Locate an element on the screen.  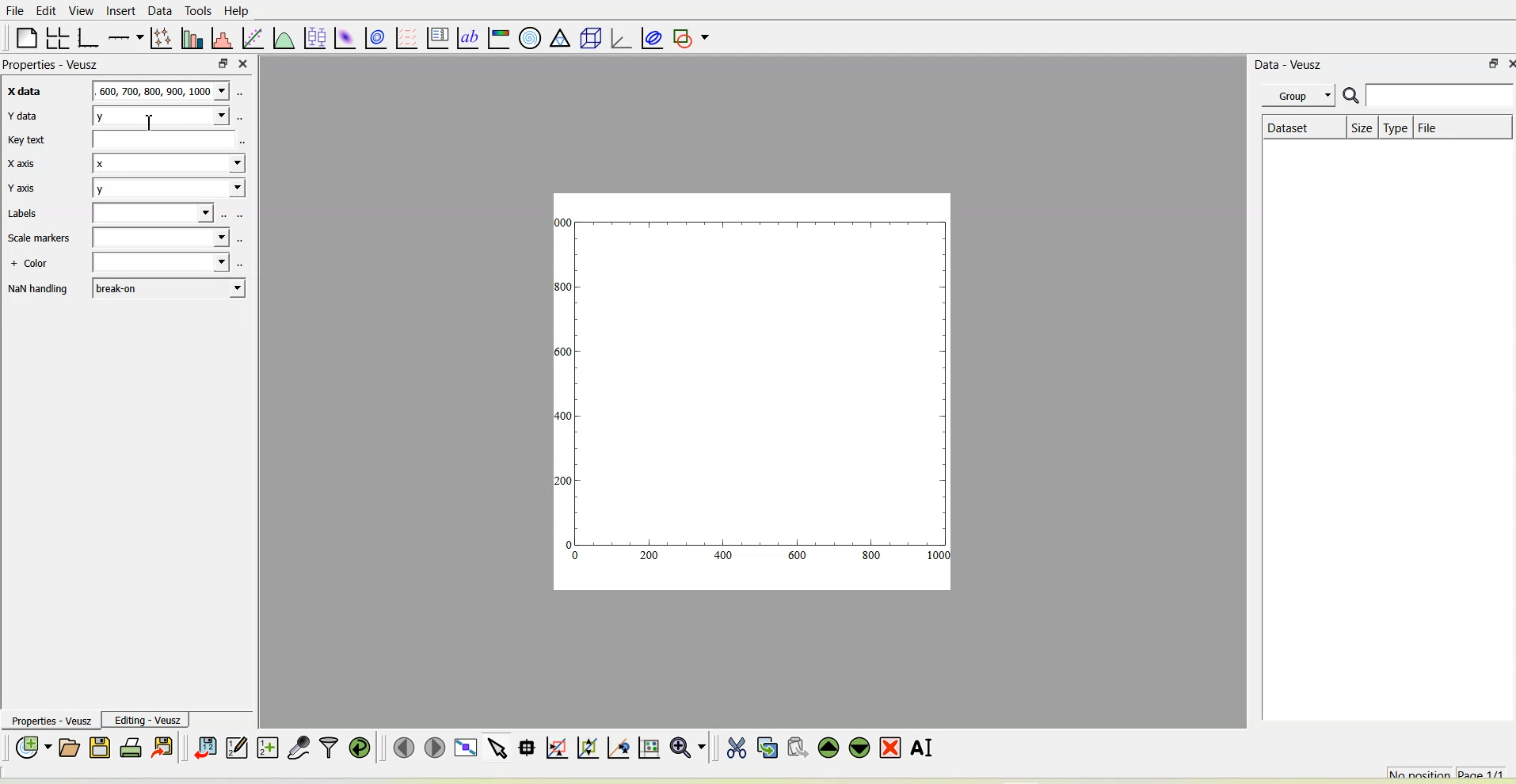
Plot a 2d dataset as an image is located at coordinates (345, 36).